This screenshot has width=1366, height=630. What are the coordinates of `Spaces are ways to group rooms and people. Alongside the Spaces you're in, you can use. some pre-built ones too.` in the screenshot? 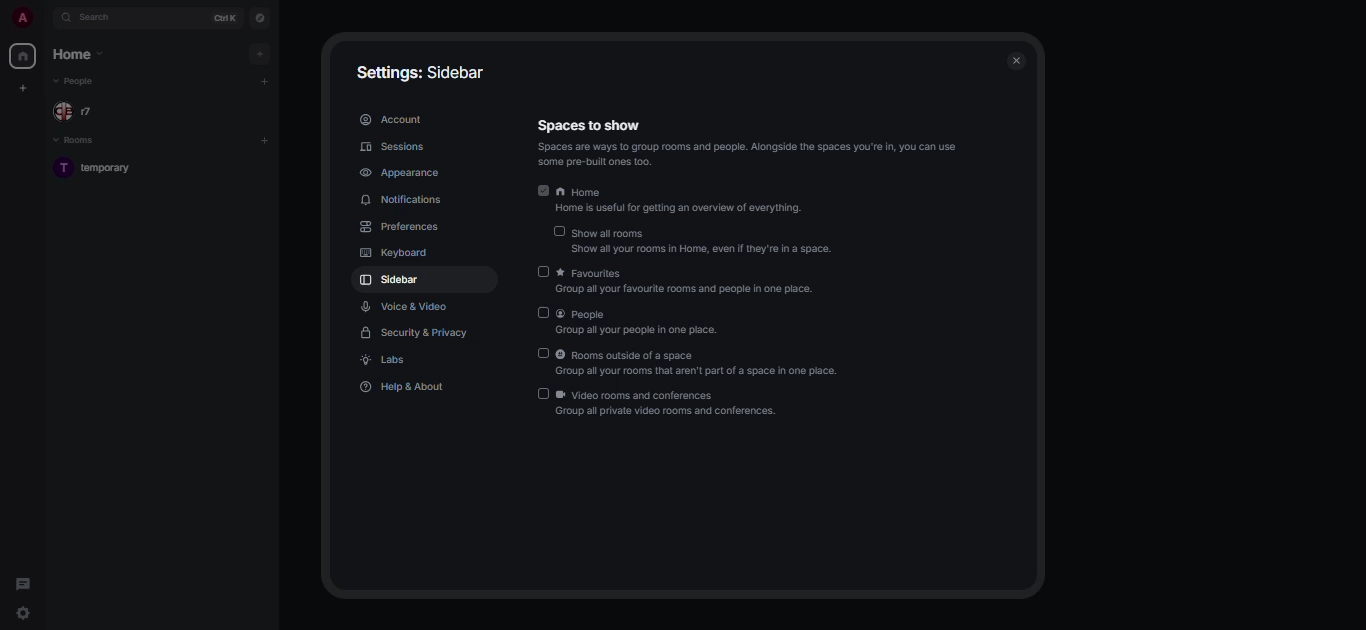 It's located at (749, 154).